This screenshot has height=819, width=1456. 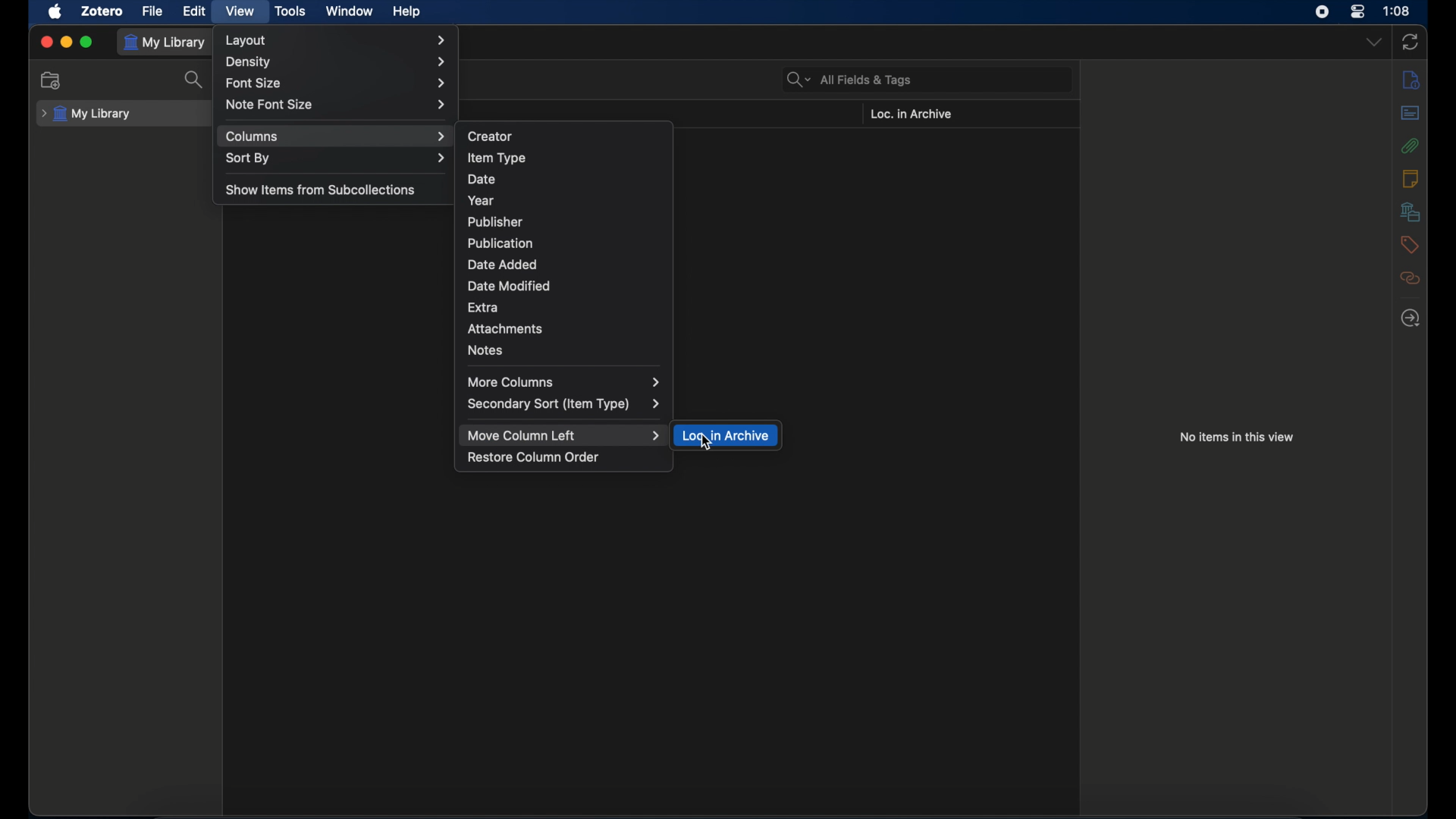 What do you see at coordinates (491, 135) in the screenshot?
I see `creator` at bounding box center [491, 135].